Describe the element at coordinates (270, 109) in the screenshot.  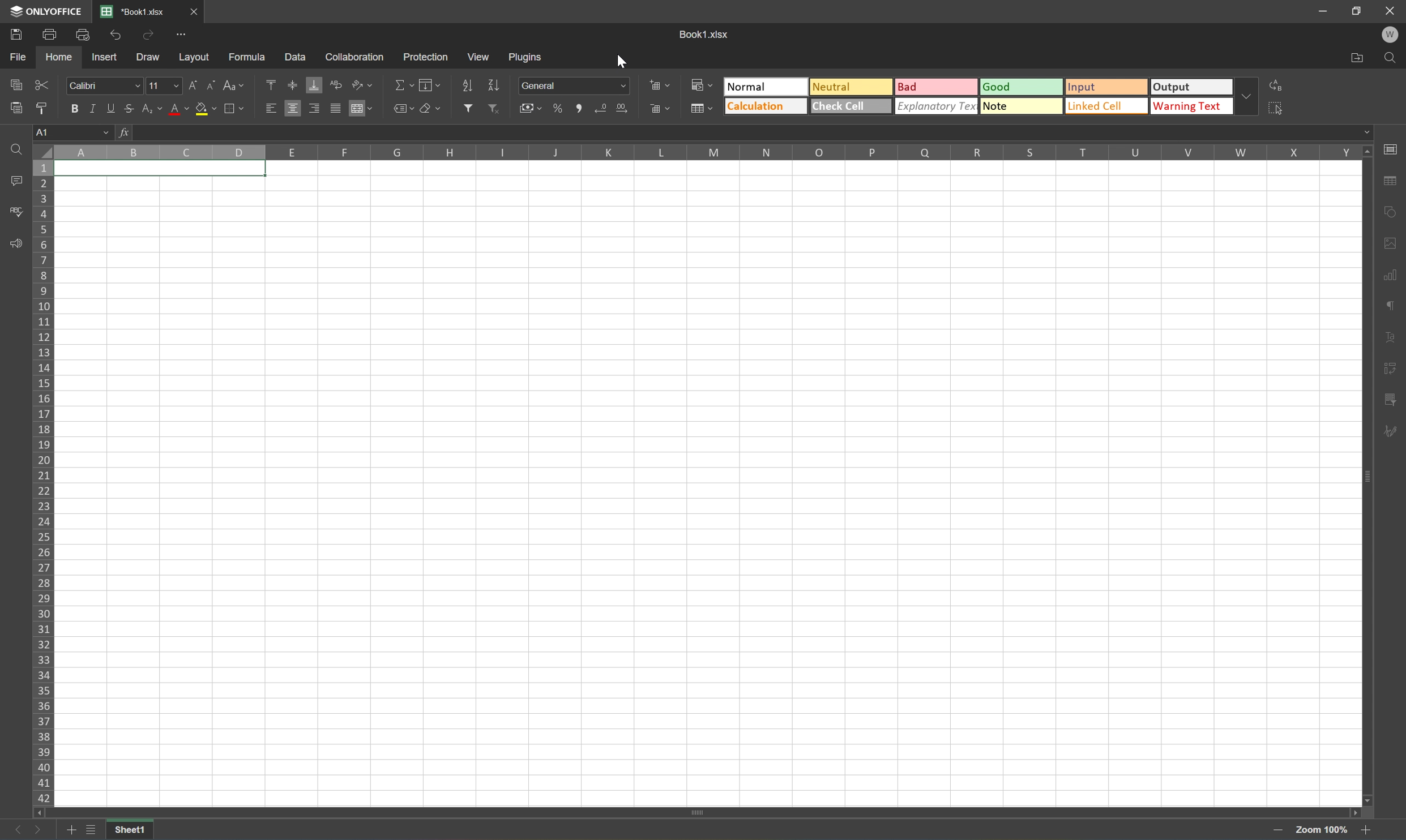
I see `Align left` at that location.